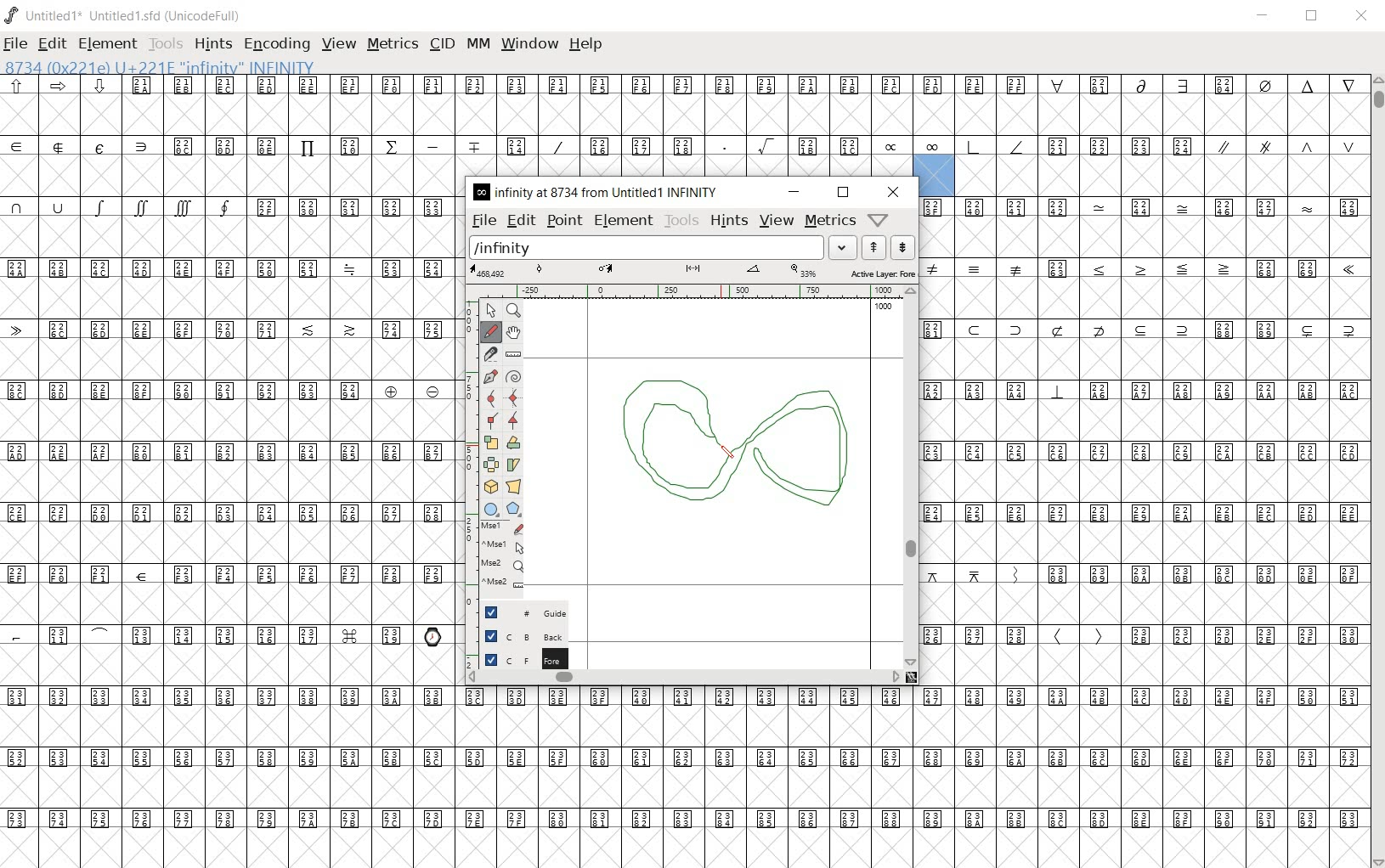 The height and width of the screenshot is (868, 1385). I want to click on symbol, so click(1143, 206).